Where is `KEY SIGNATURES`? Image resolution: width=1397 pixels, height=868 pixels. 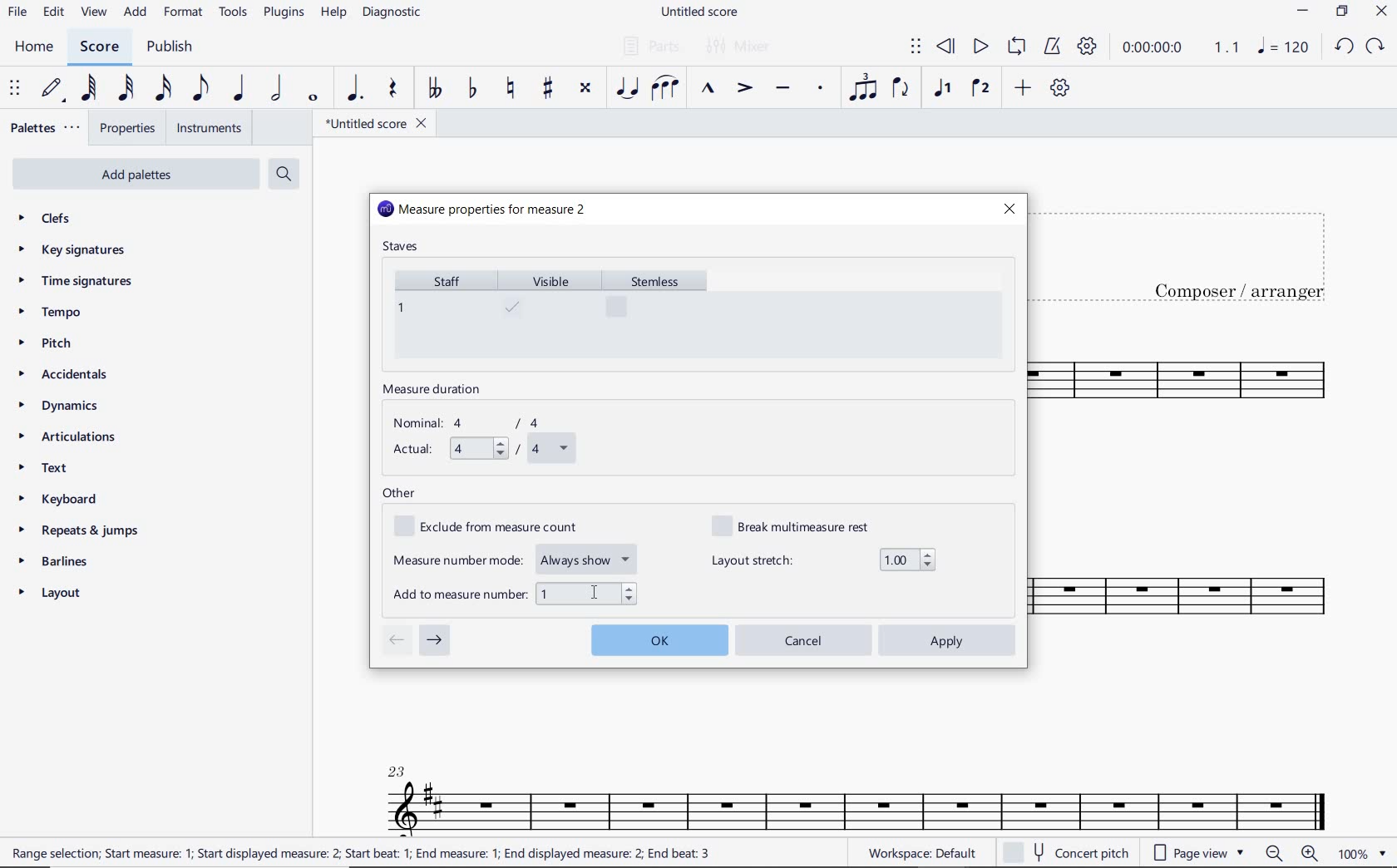
KEY SIGNATURES is located at coordinates (77, 249).